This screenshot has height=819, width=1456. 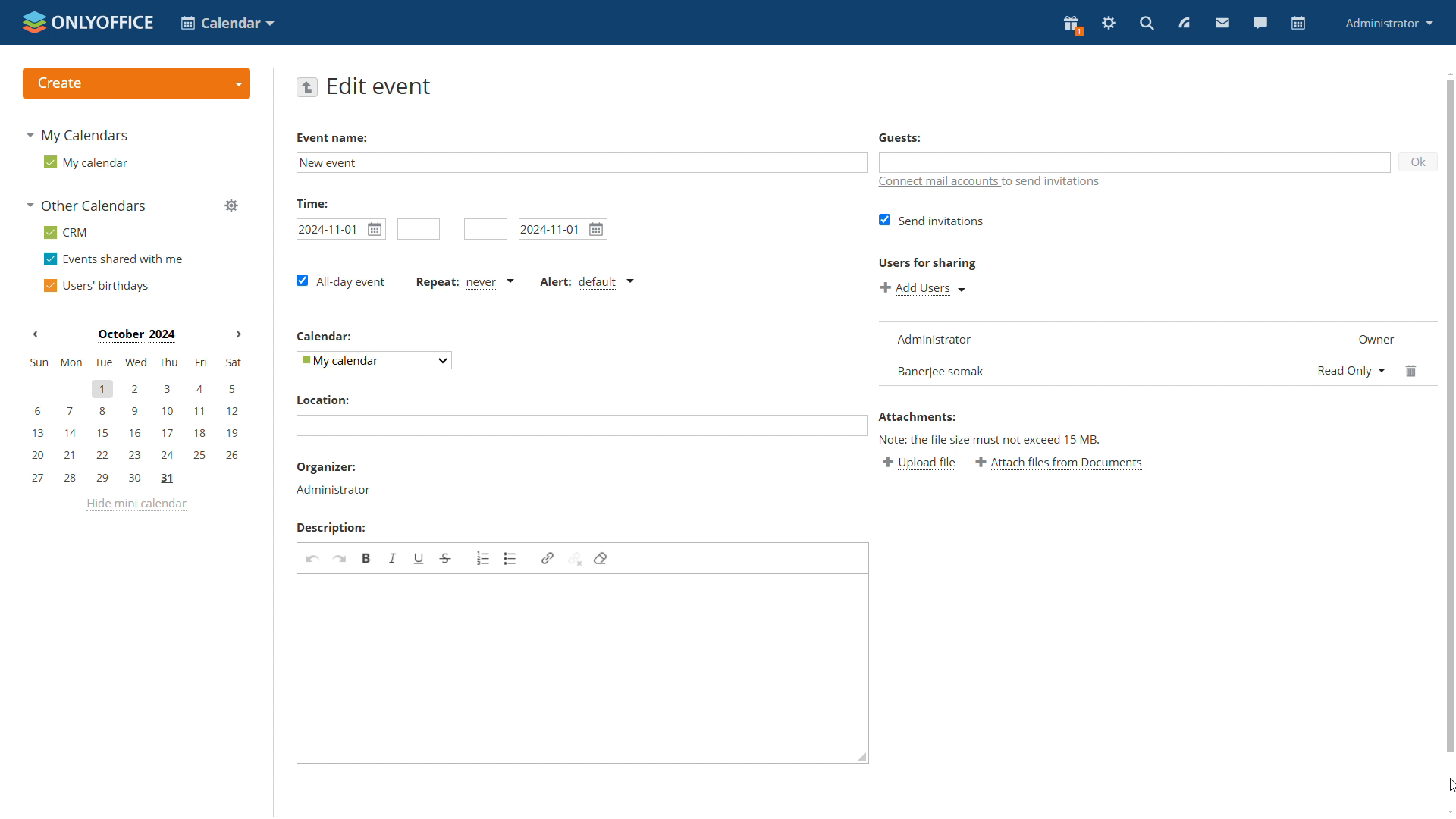 I want to click on guests, so click(x=1135, y=164).